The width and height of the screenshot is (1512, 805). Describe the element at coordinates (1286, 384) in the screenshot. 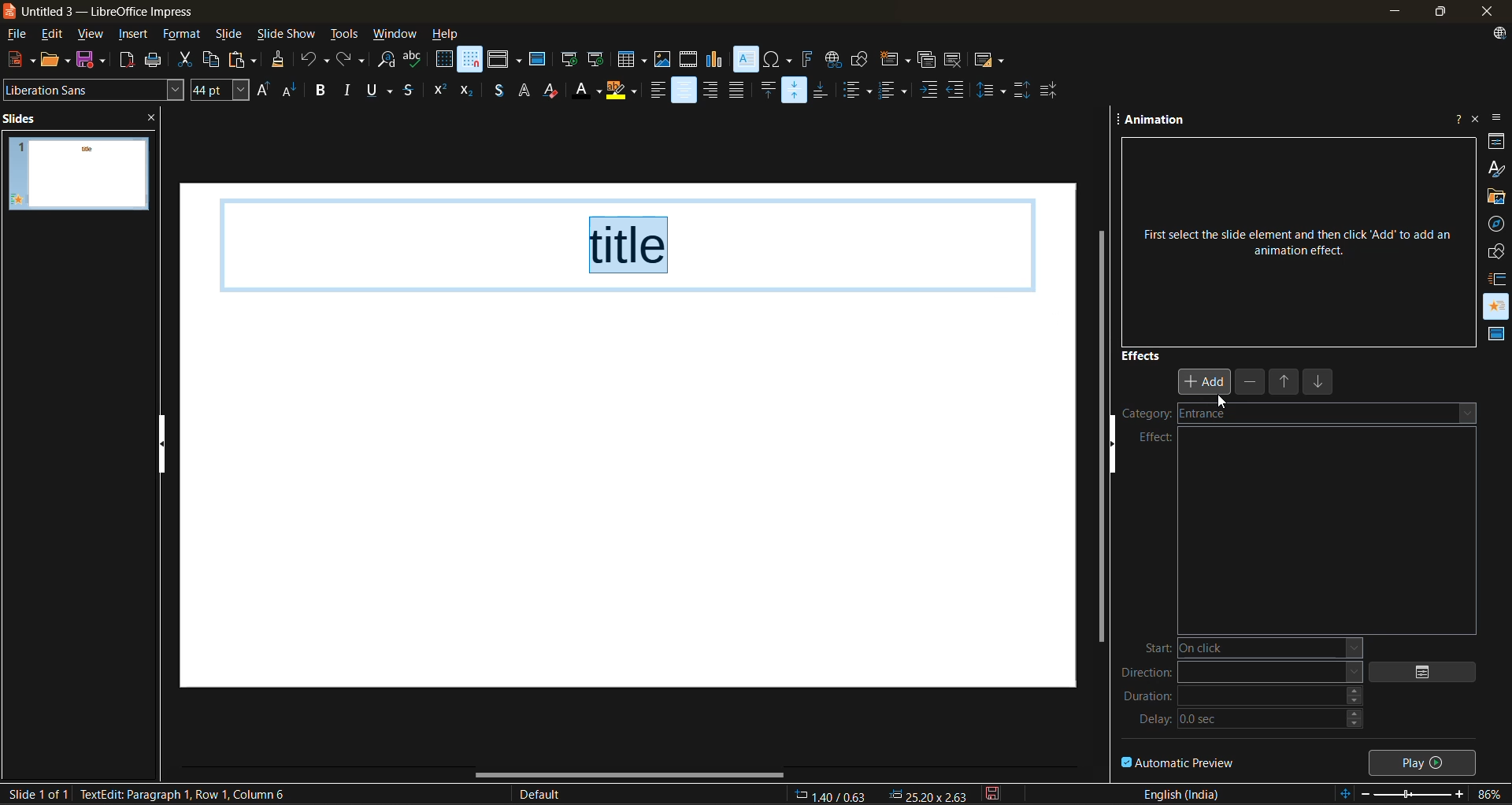

I see `move up` at that location.